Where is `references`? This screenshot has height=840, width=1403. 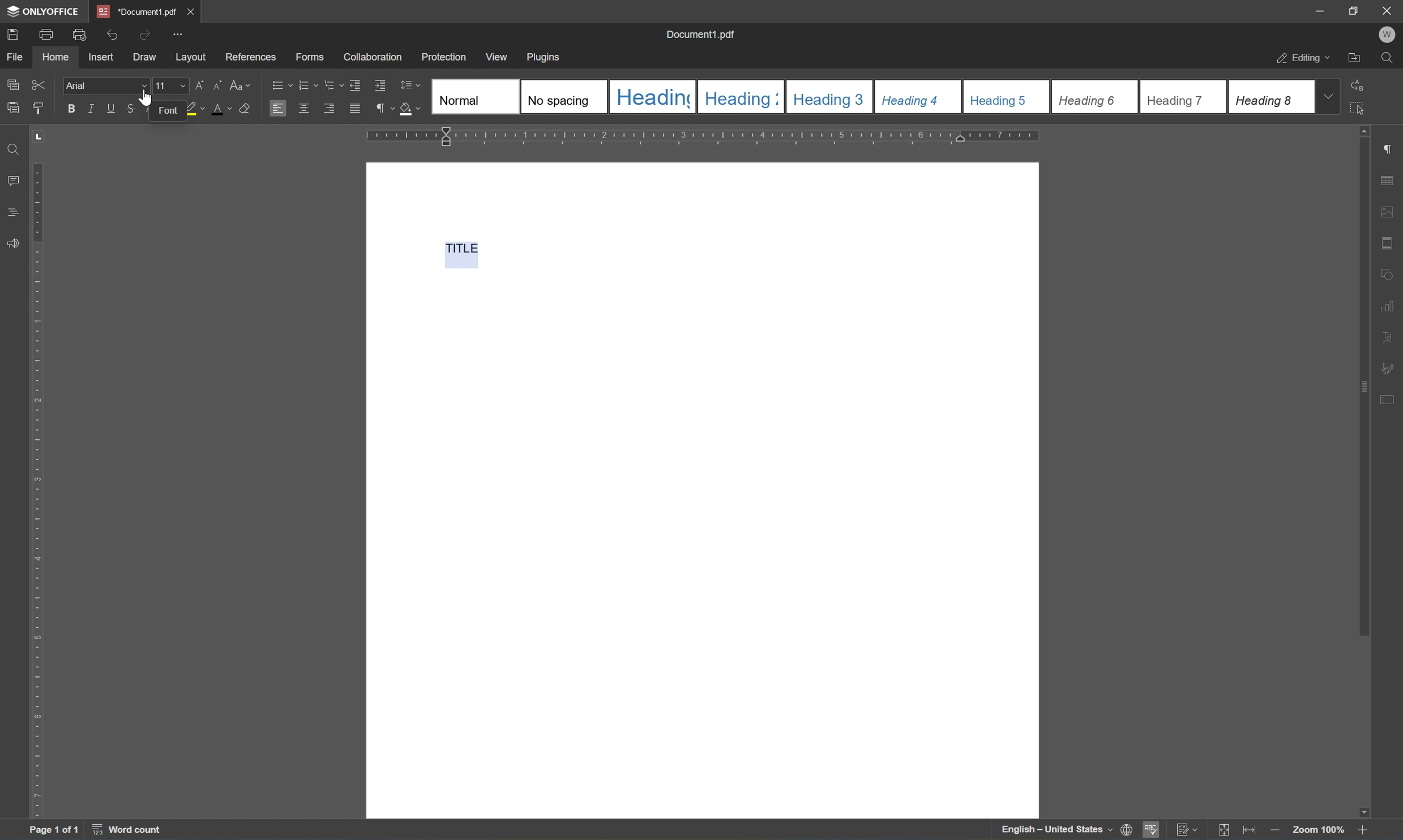 references is located at coordinates (251, 58).